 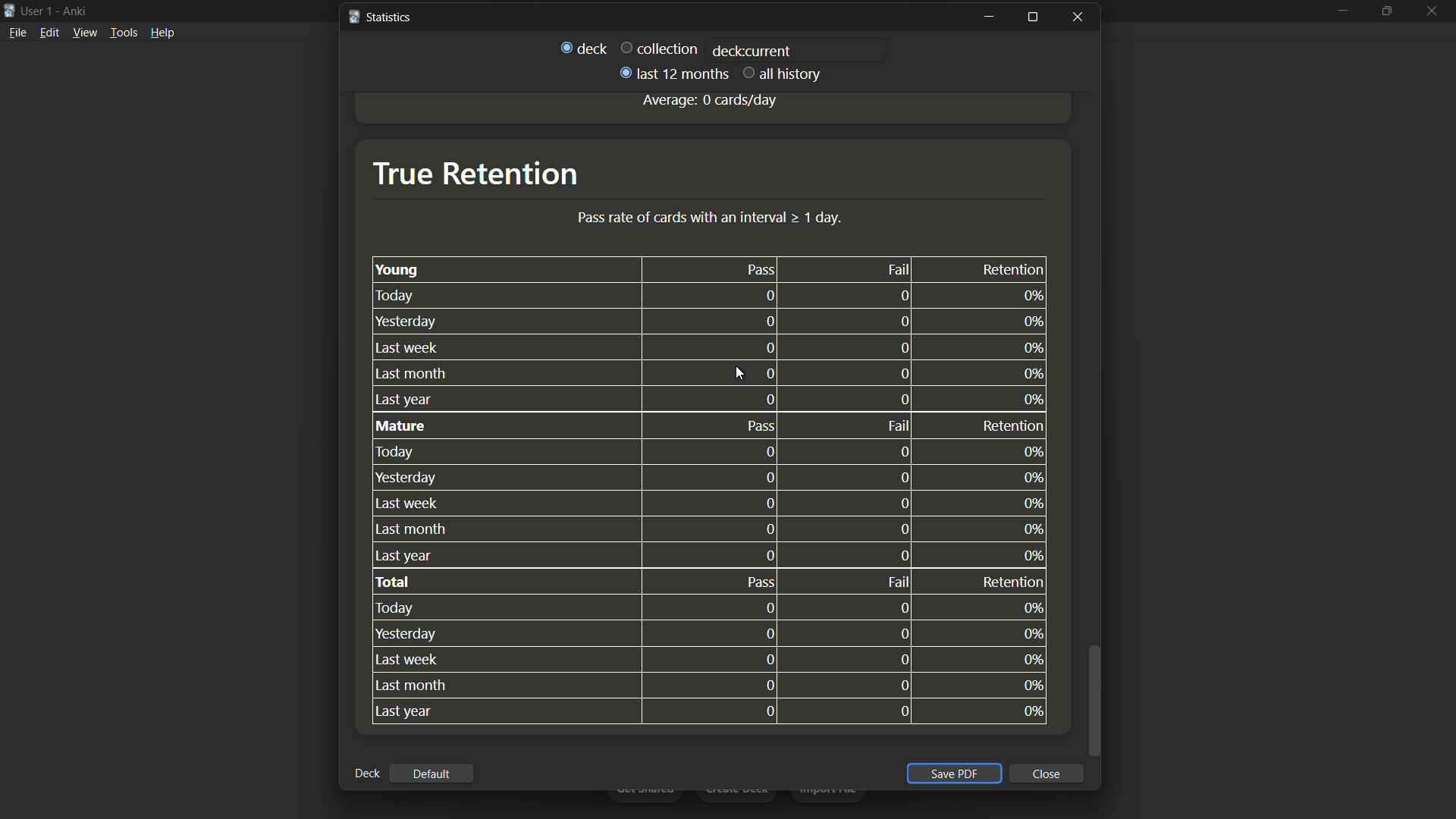 I want to click on scroll bar, so click(x=1094, y=699).